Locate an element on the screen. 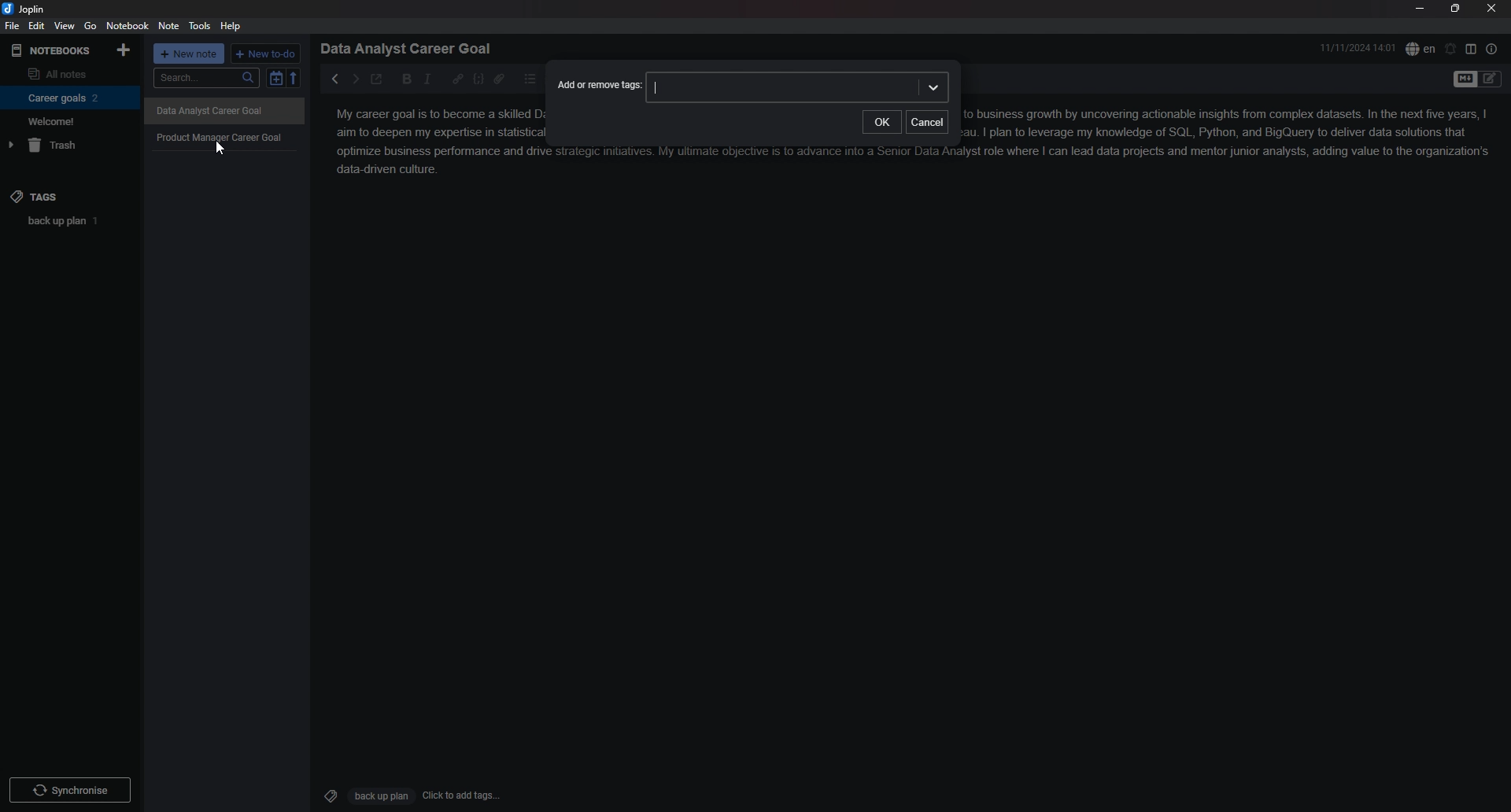  11/11/2024 14:01 is located at coordinates (1358, 47).